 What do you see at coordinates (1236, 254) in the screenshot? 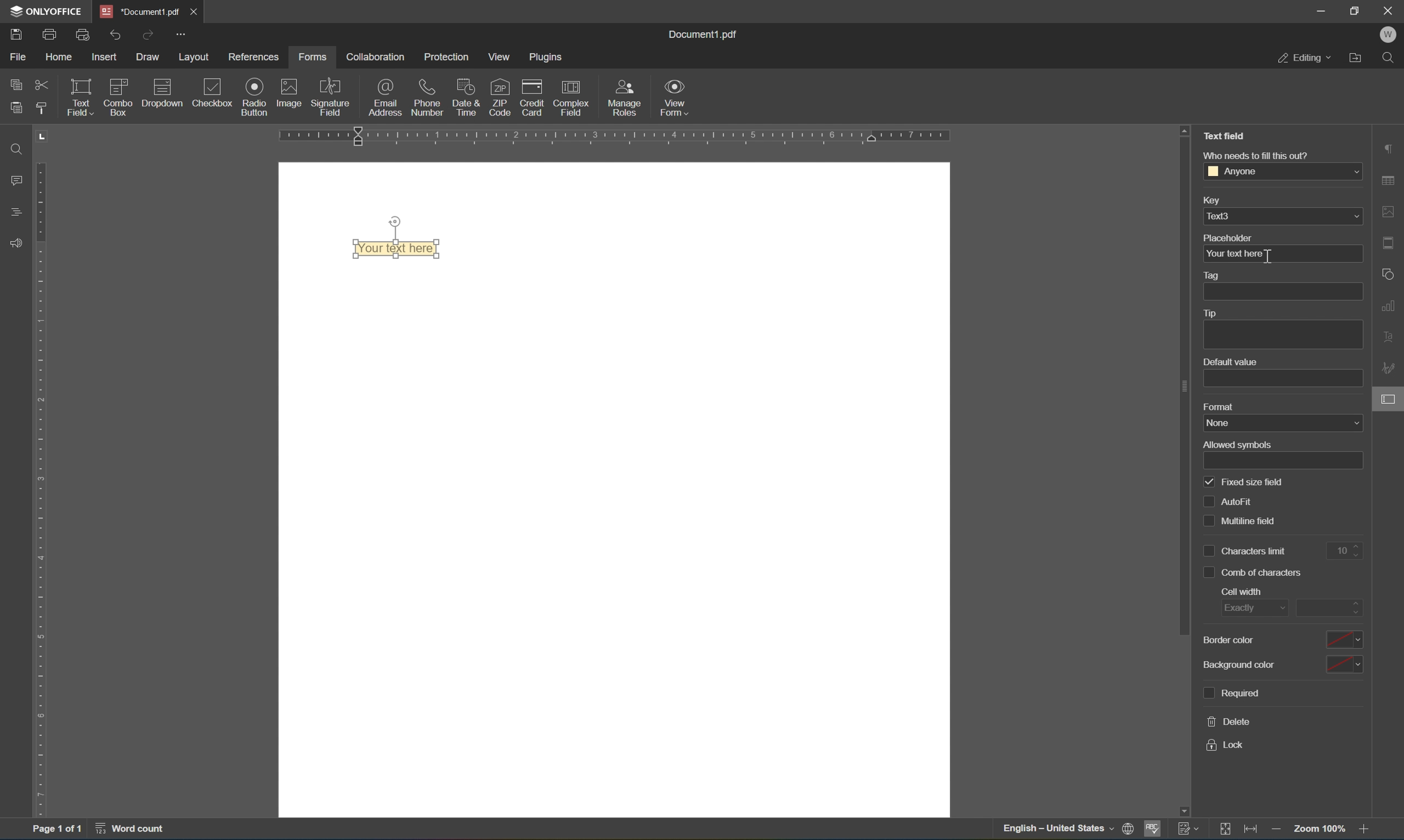
I see `your text holder` at bounding box center [1236, 254].